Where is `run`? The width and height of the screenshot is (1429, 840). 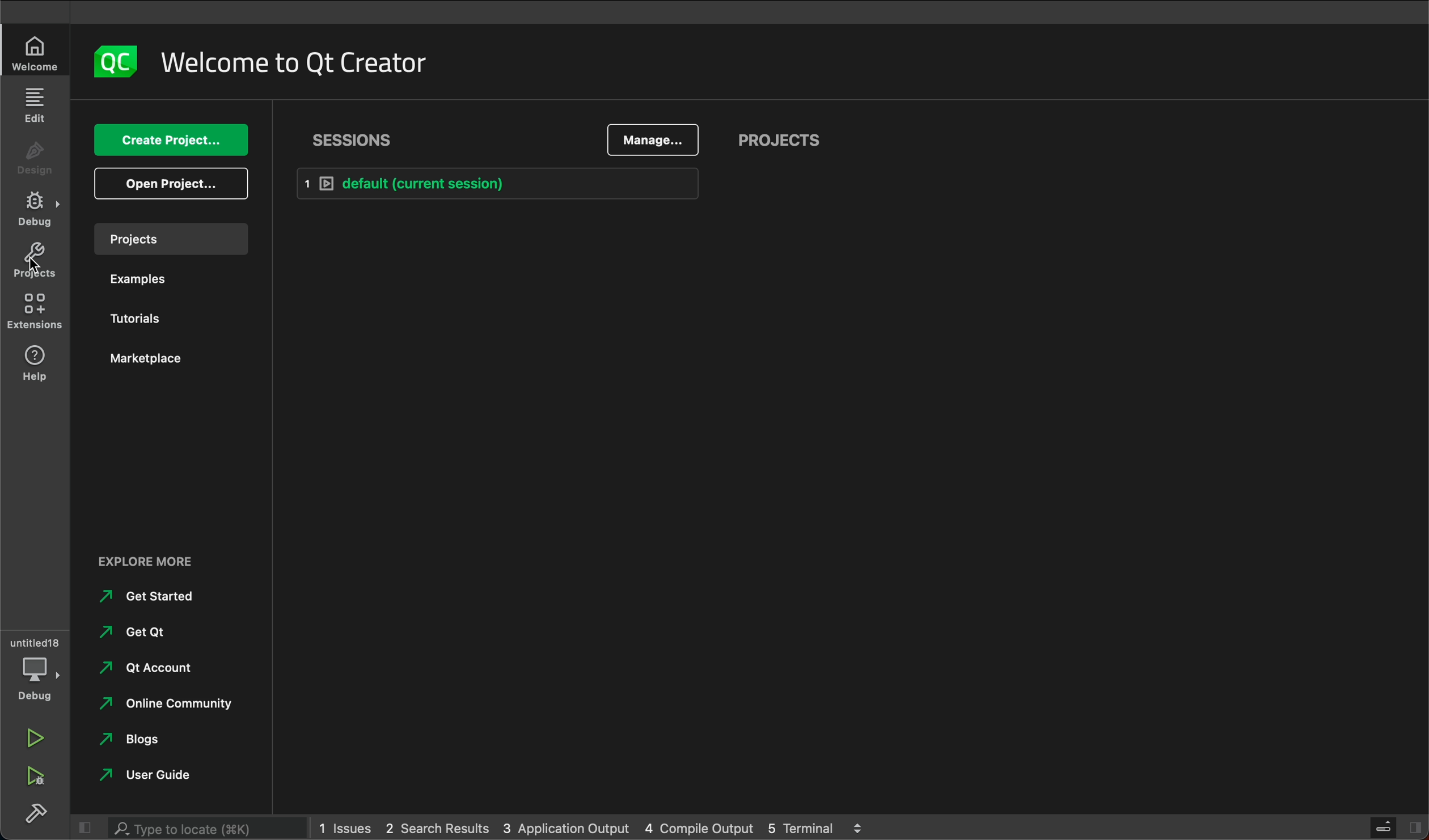
run is located at coordinates (38, 738).